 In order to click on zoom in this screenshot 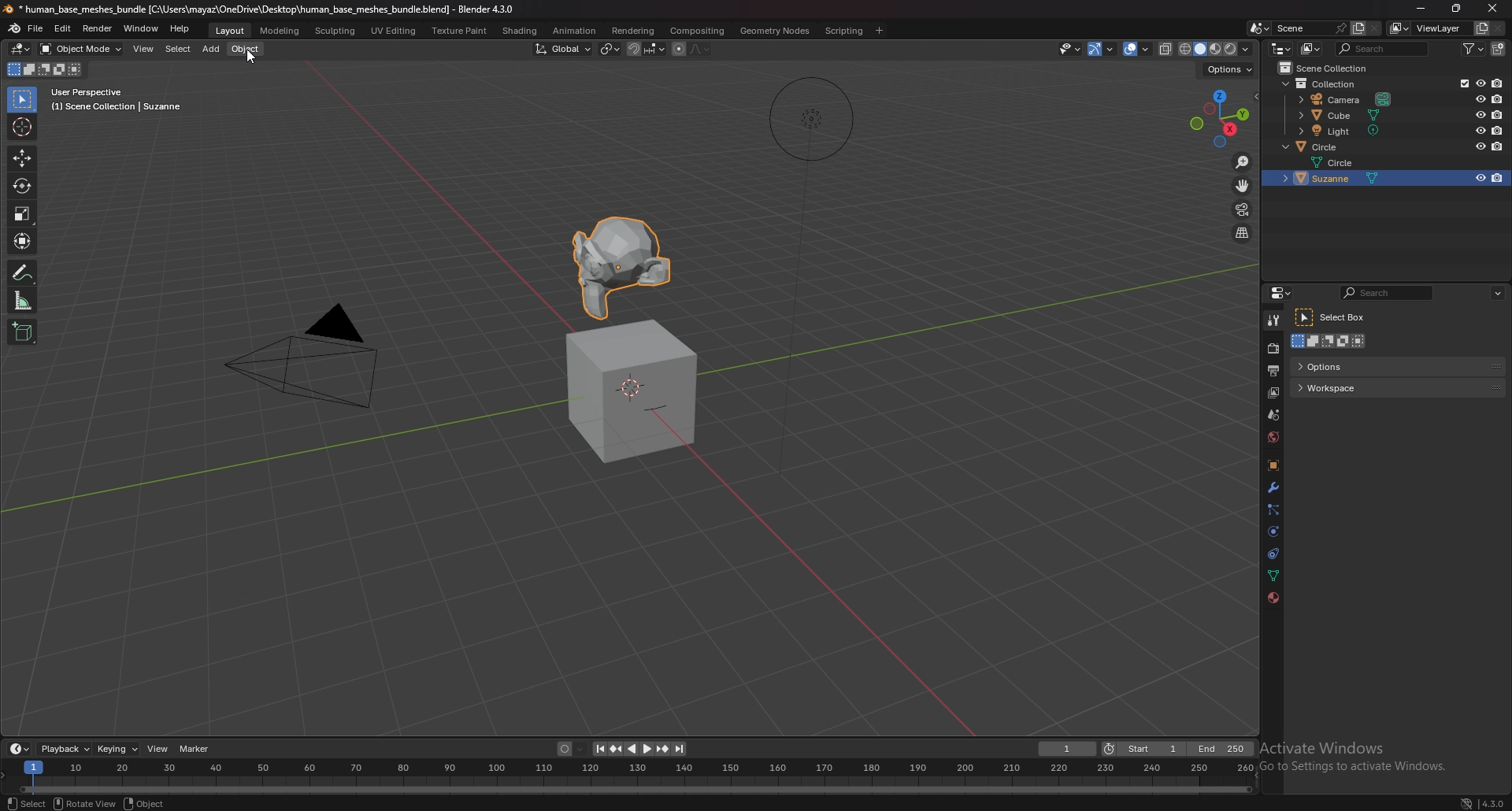, I will do `click(1243, 162)`.